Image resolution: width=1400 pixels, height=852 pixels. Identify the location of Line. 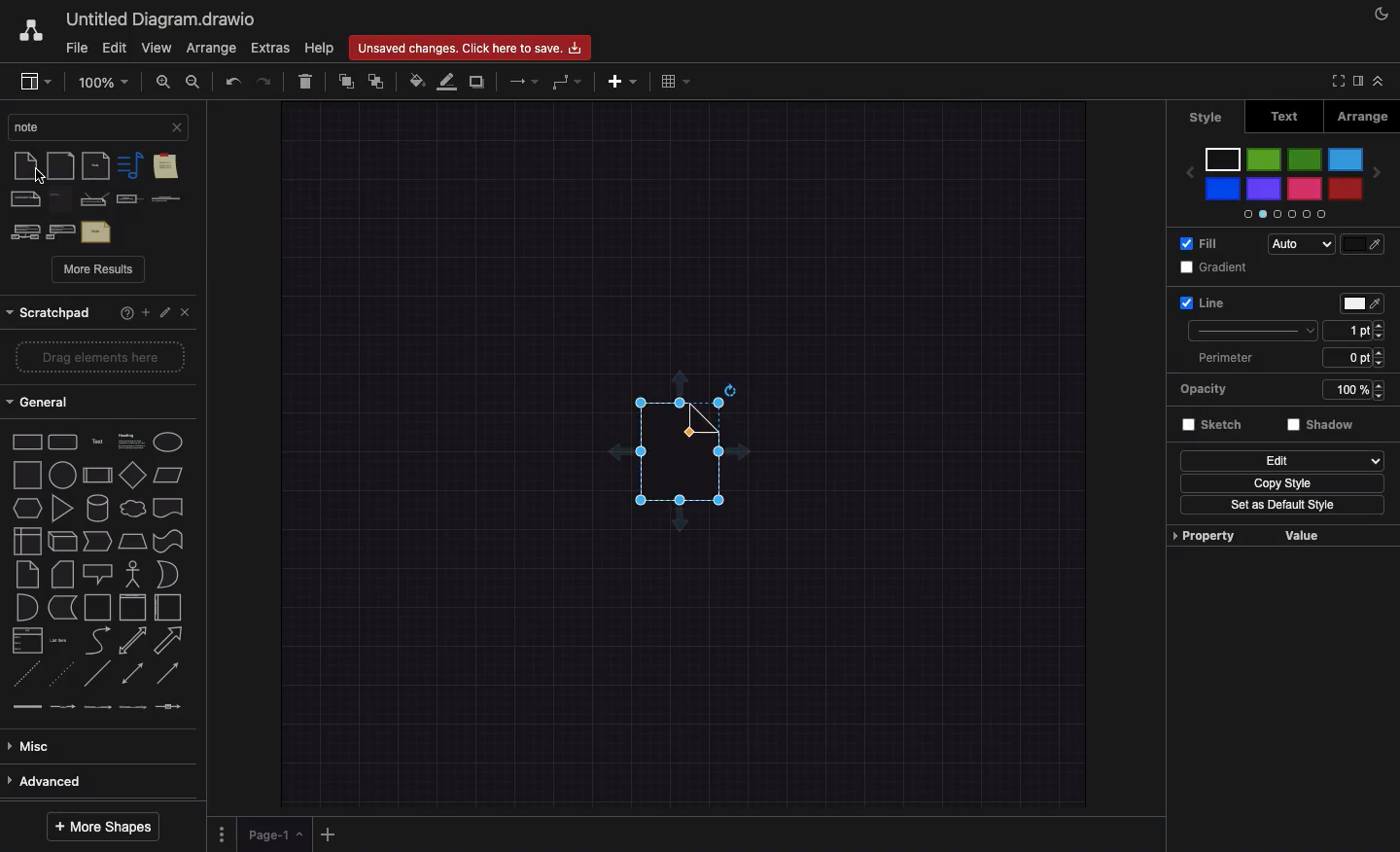
(1202, 302).